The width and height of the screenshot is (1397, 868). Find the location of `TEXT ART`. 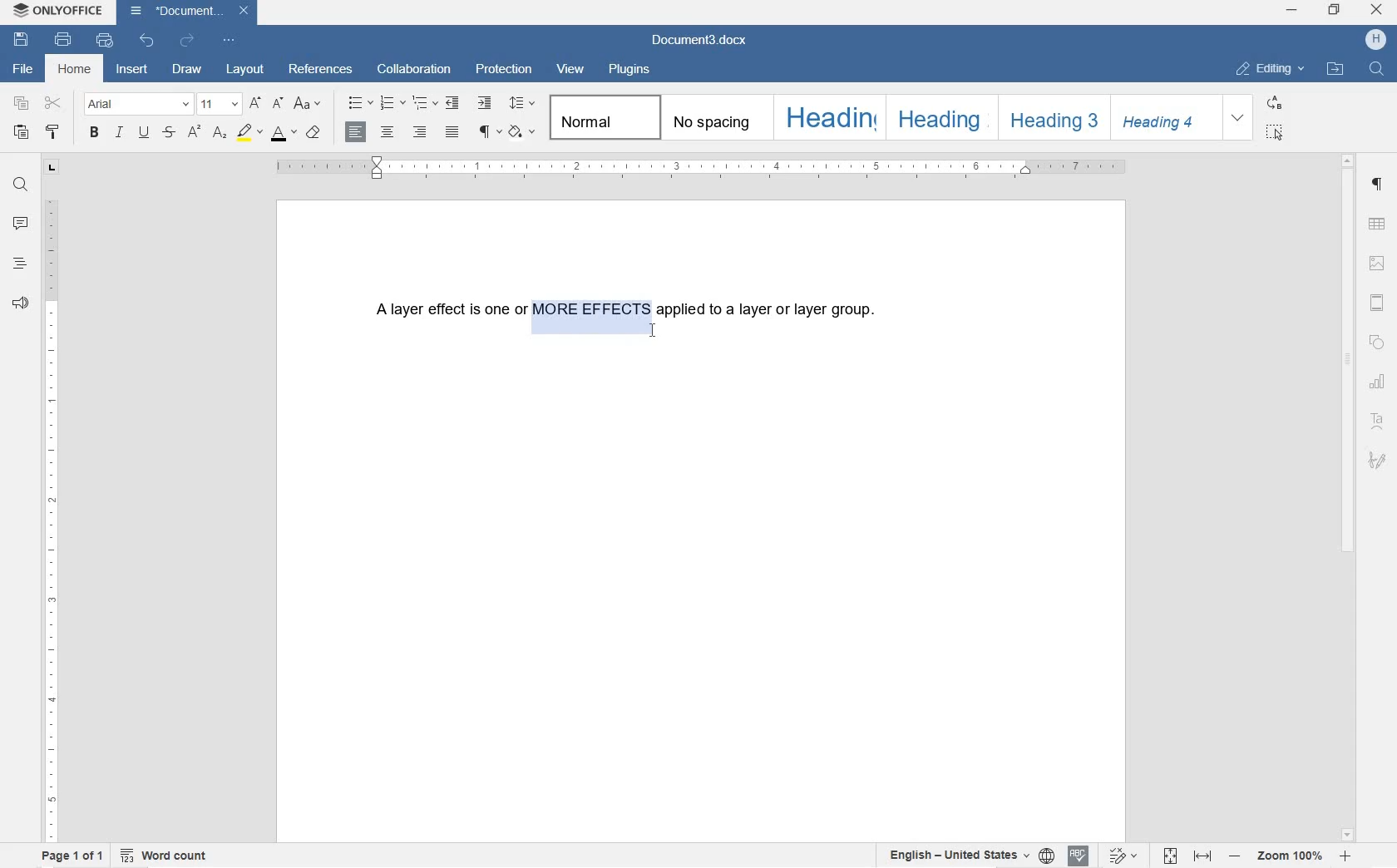

TEXT ART is located at coordinates (1379, 420).